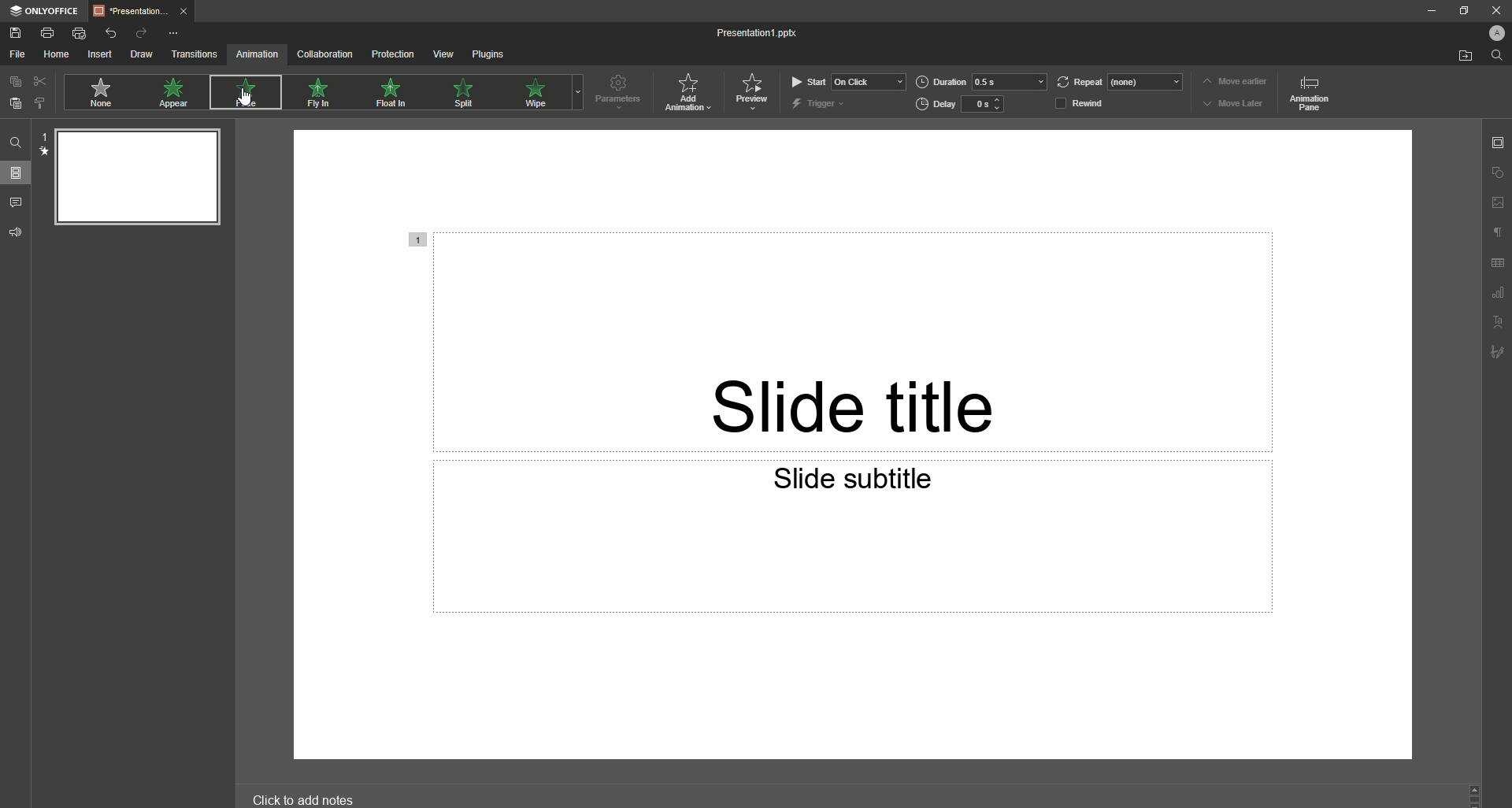  I want to click on Protection, so click(390, 55).